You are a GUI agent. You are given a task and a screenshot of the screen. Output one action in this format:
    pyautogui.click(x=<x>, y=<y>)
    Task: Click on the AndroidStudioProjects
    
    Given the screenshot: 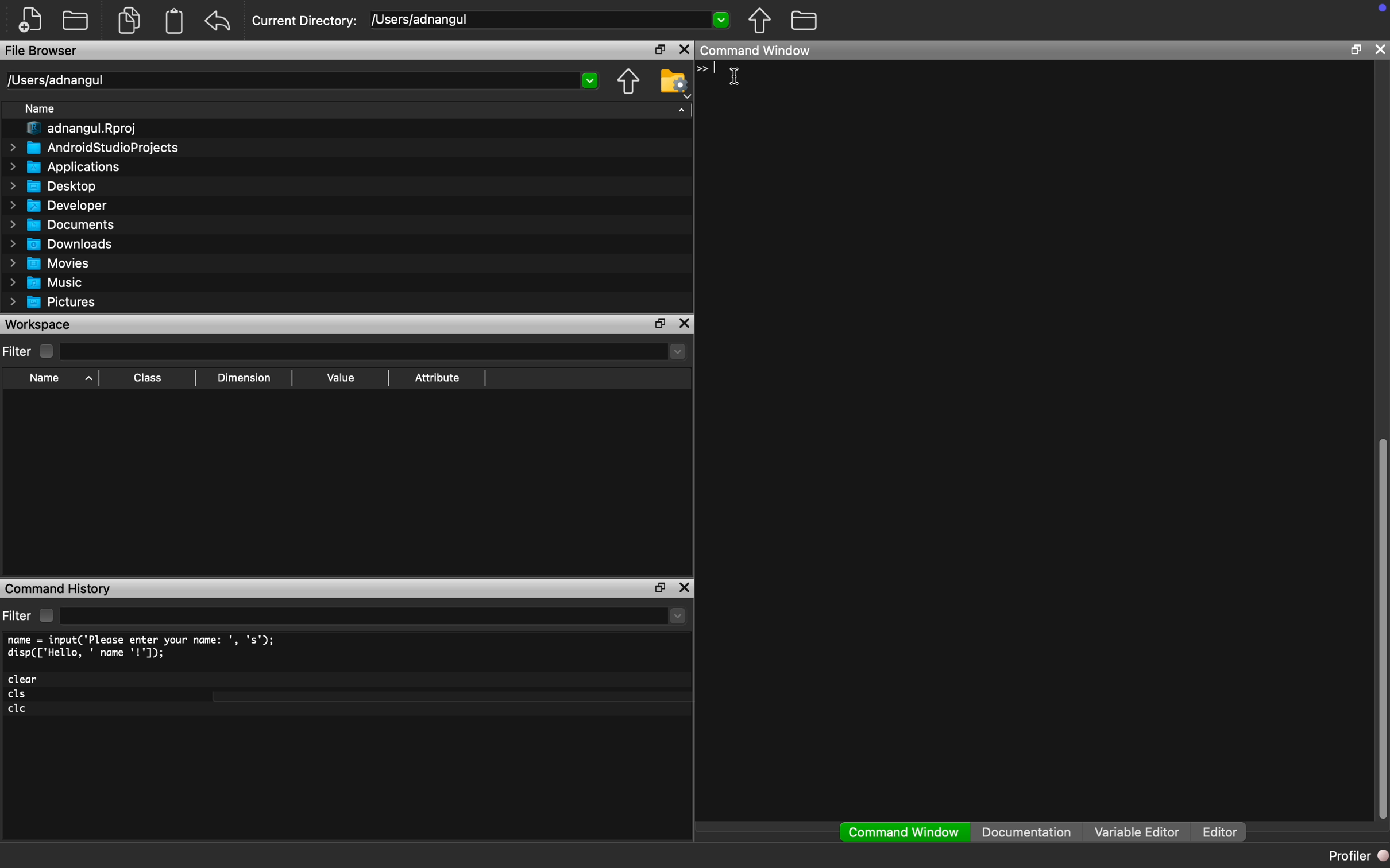 What is the action you would take?
    pyautogui.click(x=94, y=147)
    